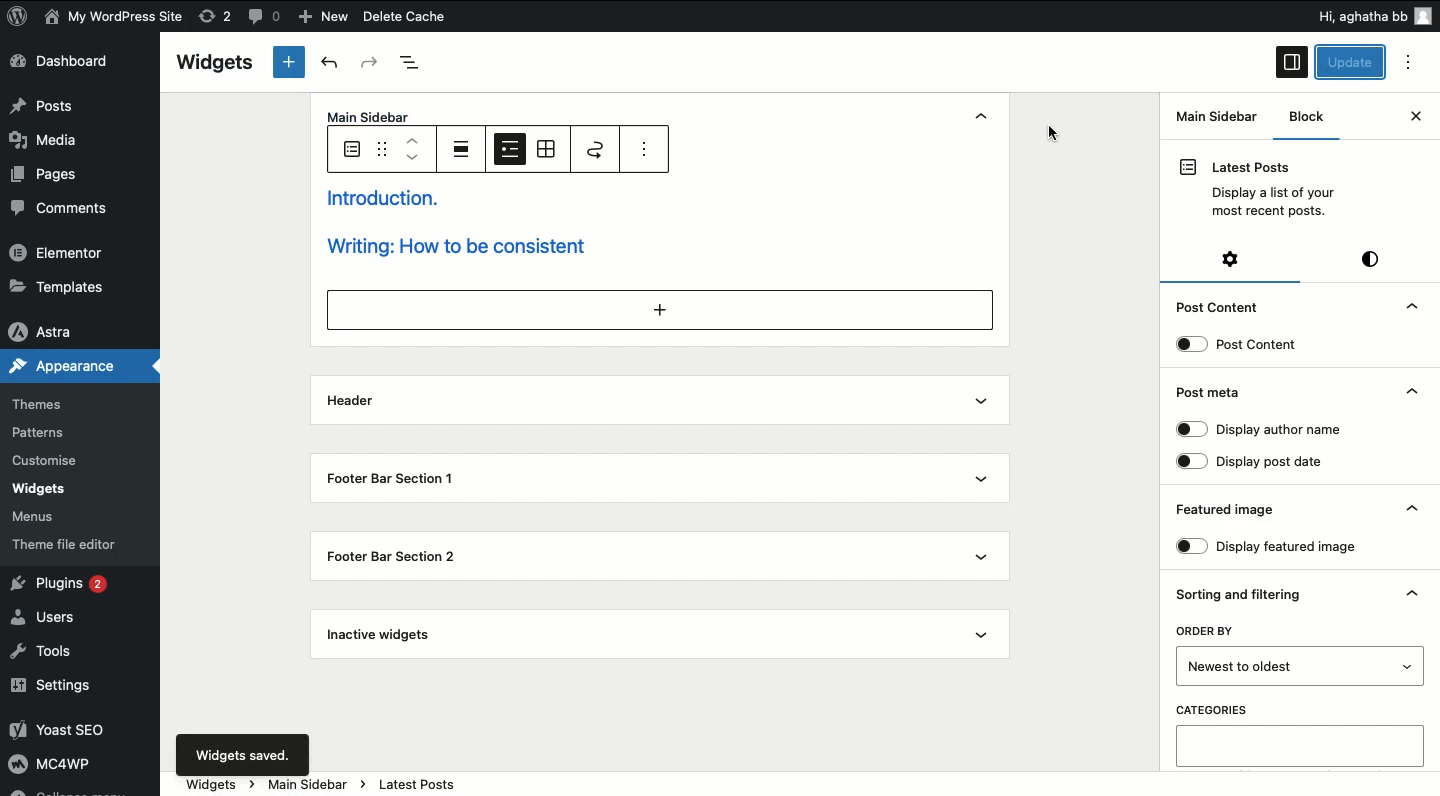 This screenshot has height=796, width=1440. What do you see at coordinates (1232, 344) in the screenshot?
I see `Post content` at bounding box center [1232, 344].